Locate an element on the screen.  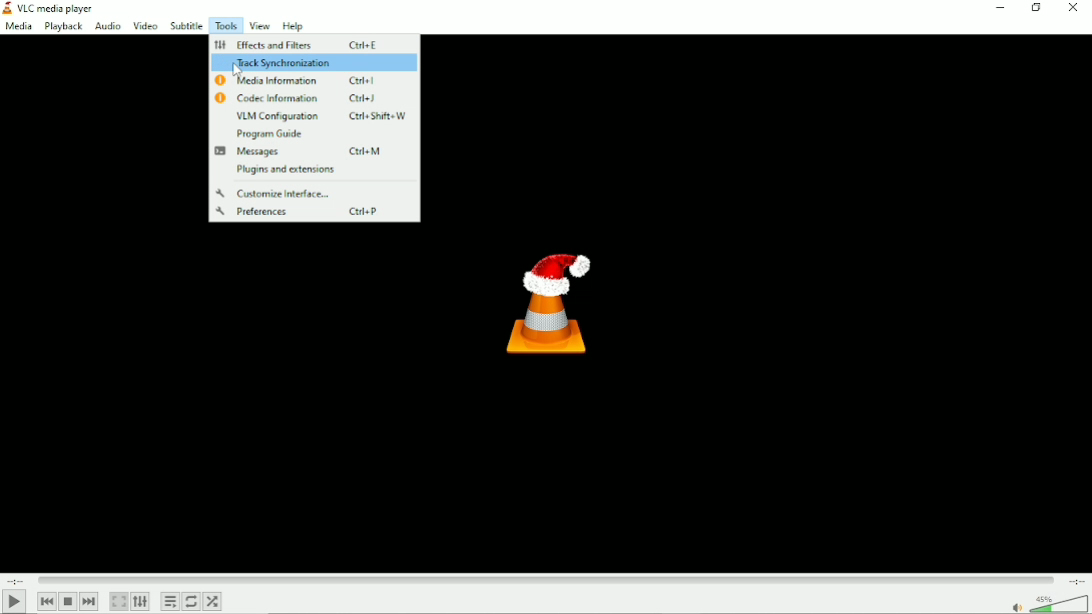
play is located at coordinates (14, 601).